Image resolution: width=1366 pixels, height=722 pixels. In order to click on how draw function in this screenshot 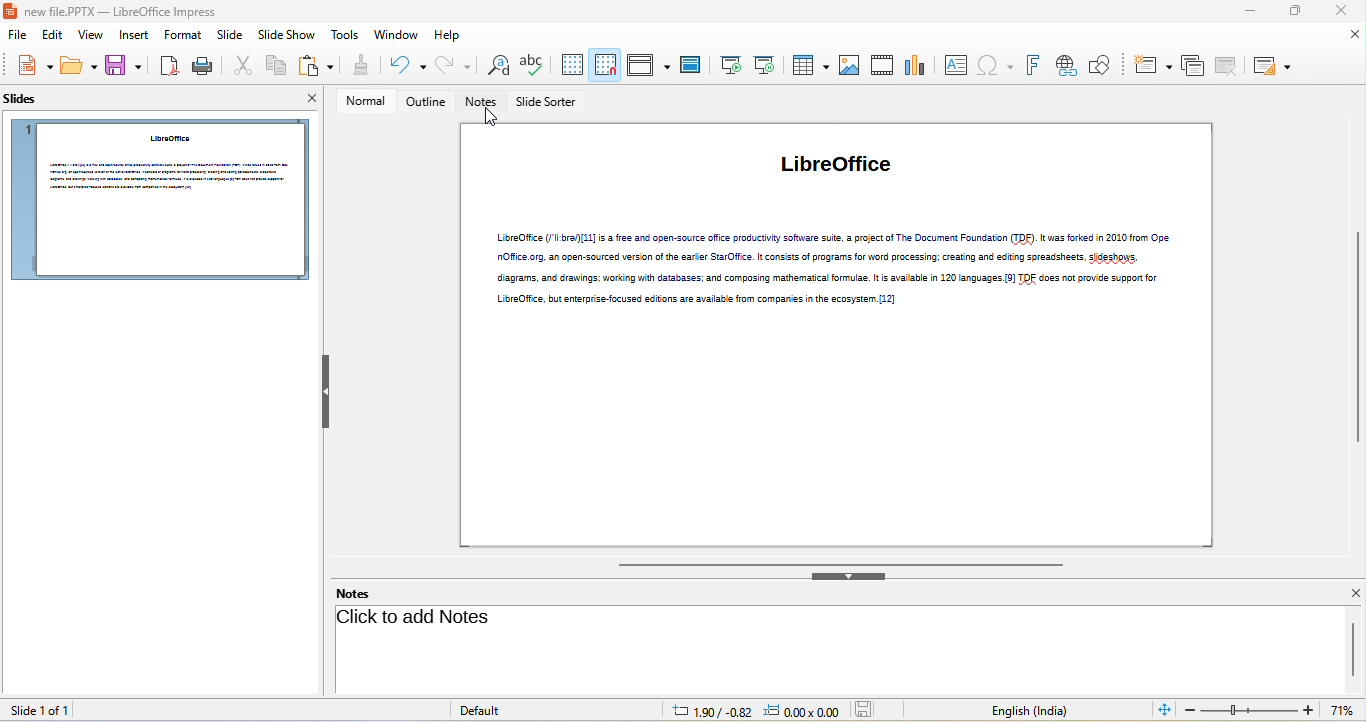, I will do `click(1101, 66)`.